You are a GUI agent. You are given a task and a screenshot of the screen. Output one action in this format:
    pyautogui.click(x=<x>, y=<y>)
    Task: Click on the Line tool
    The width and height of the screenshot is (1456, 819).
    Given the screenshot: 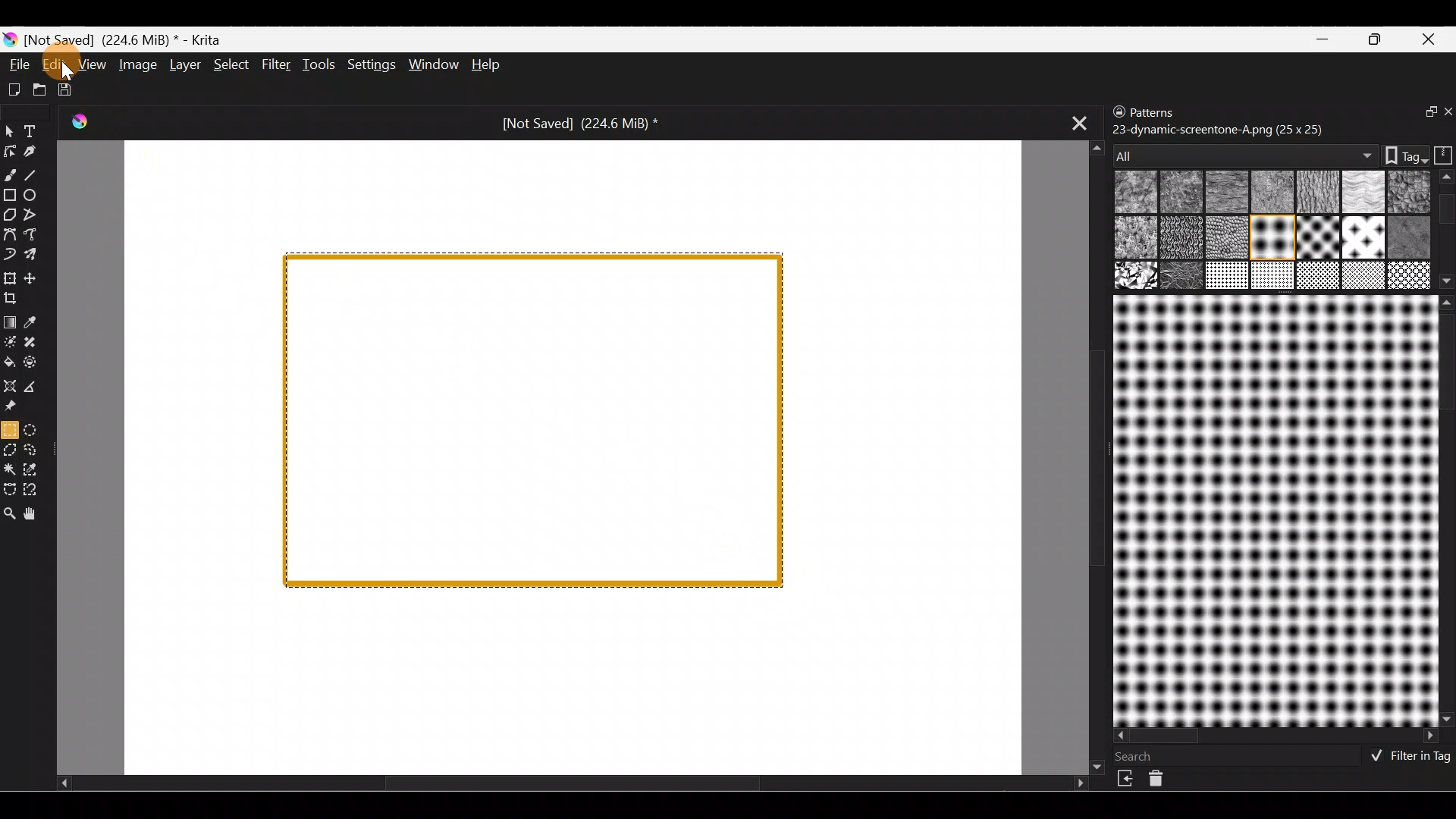 What is the action you would take?
    pyautogui.click(x=38, y=174)
    